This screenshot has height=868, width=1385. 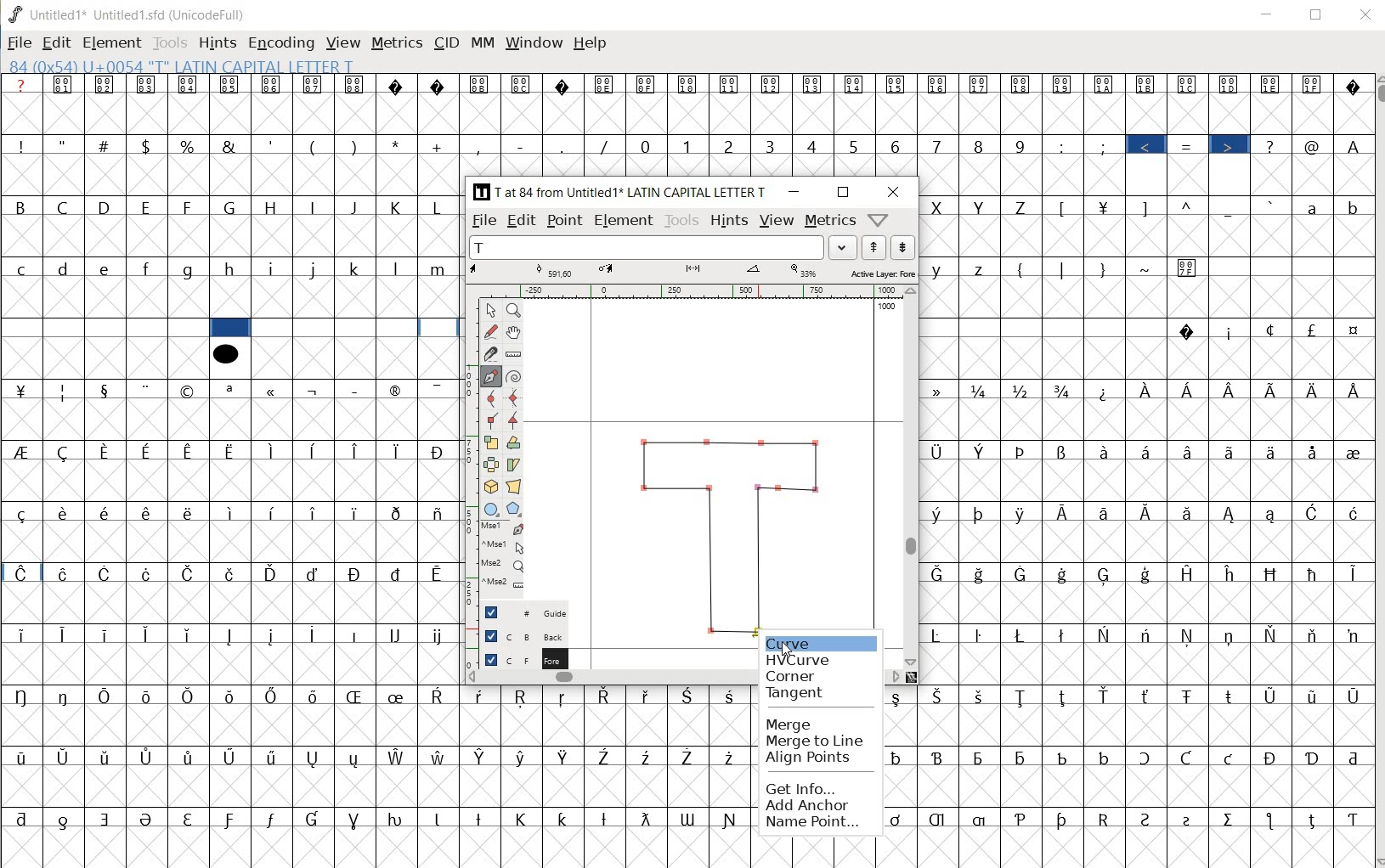 What do you see at coordinates (1230, 146) in the screenshot?
I see `>` at bounding box center [1230, 146].